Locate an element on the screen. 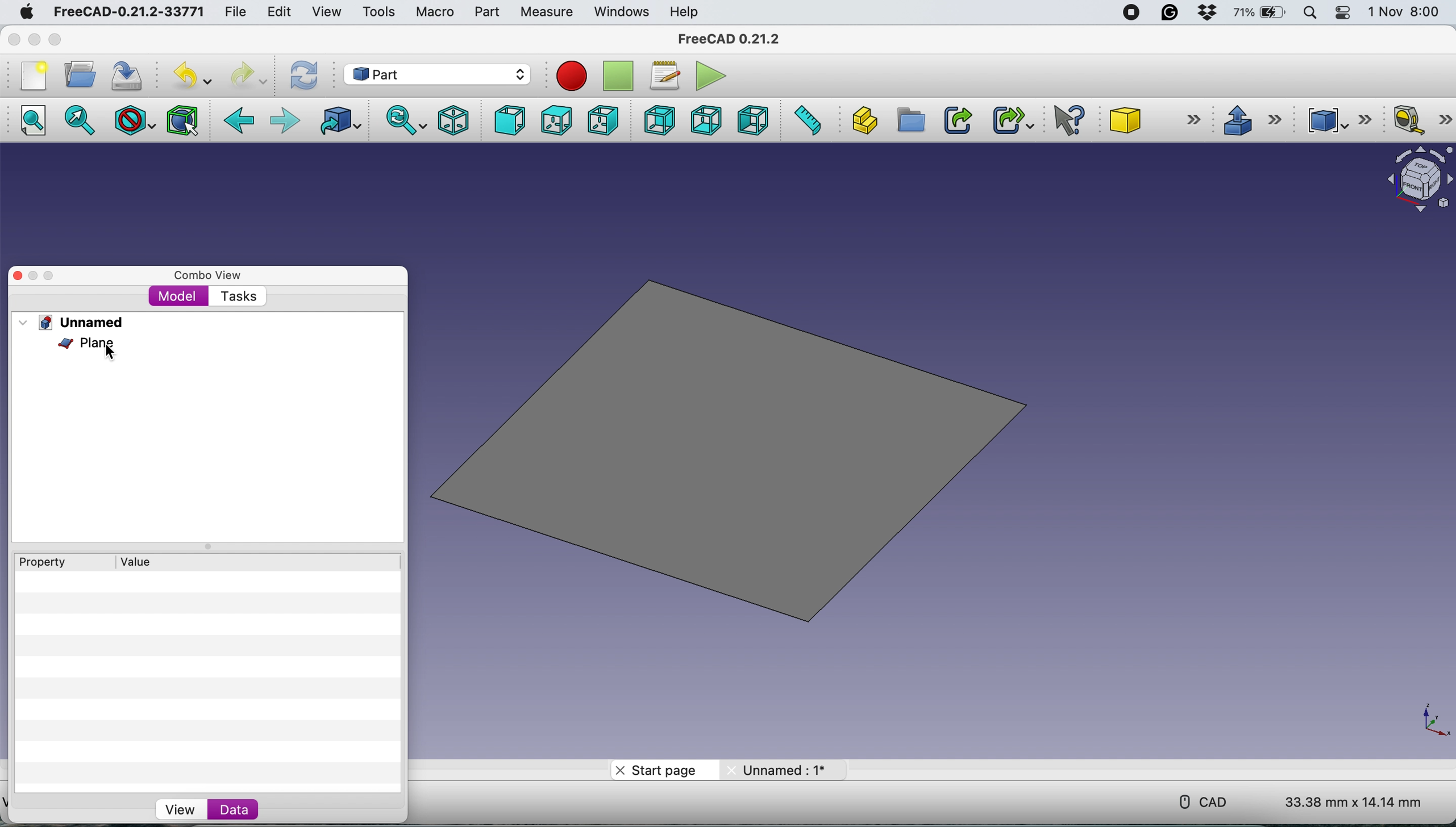  open is located at coordinates (80, 74).